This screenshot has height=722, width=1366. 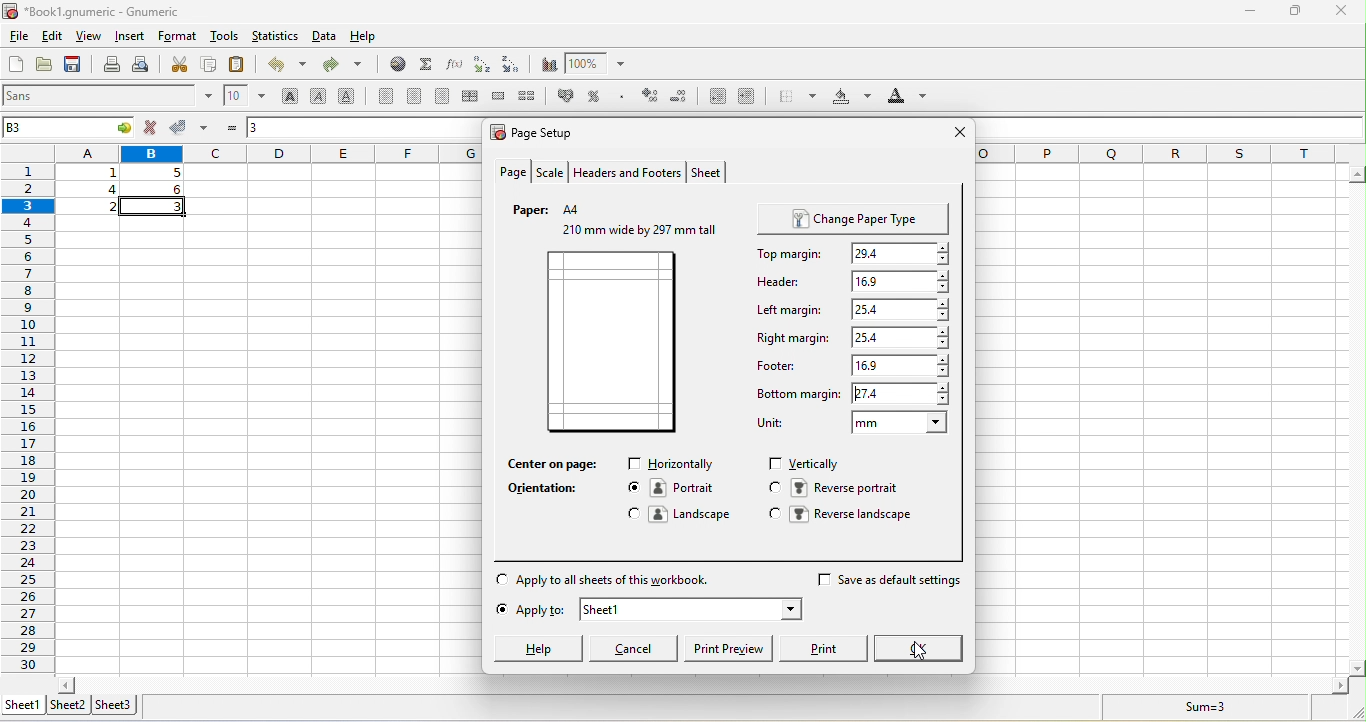 What do you see at coordinates (322, 97) in the screenshot?
I see `italic ` at bounding box center [322, 97].